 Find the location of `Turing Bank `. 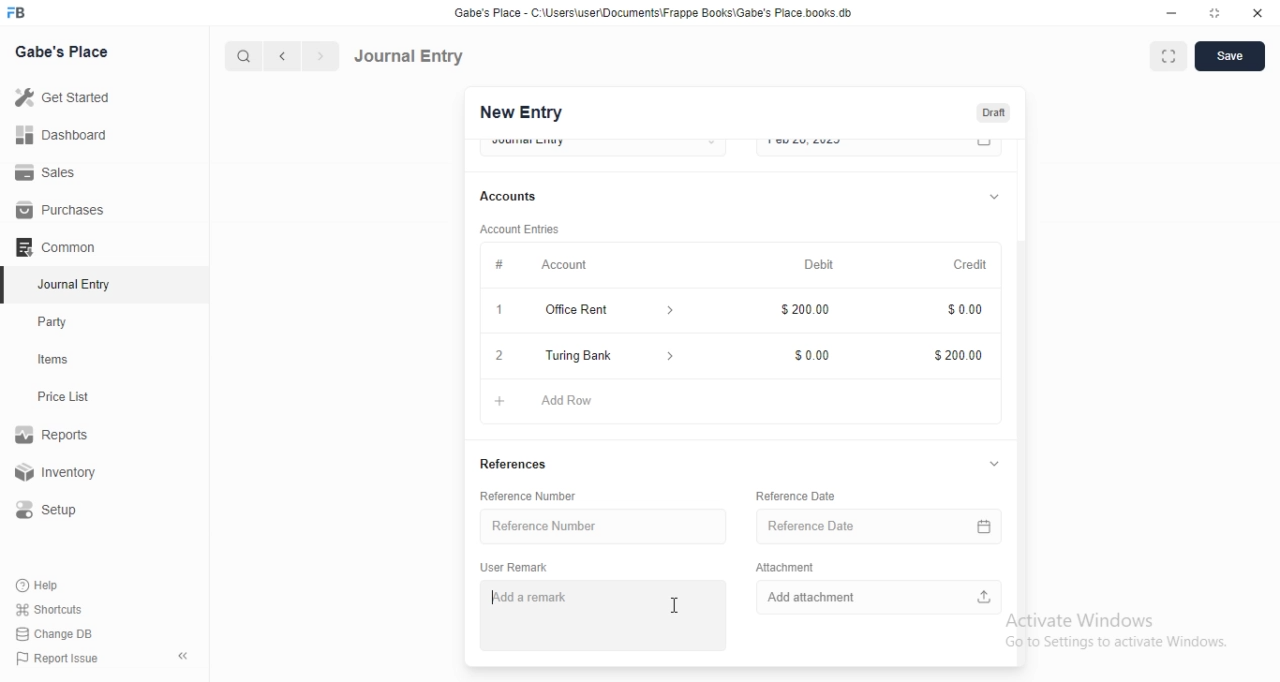

Turing Bank  is located at coordinates (608, 355).